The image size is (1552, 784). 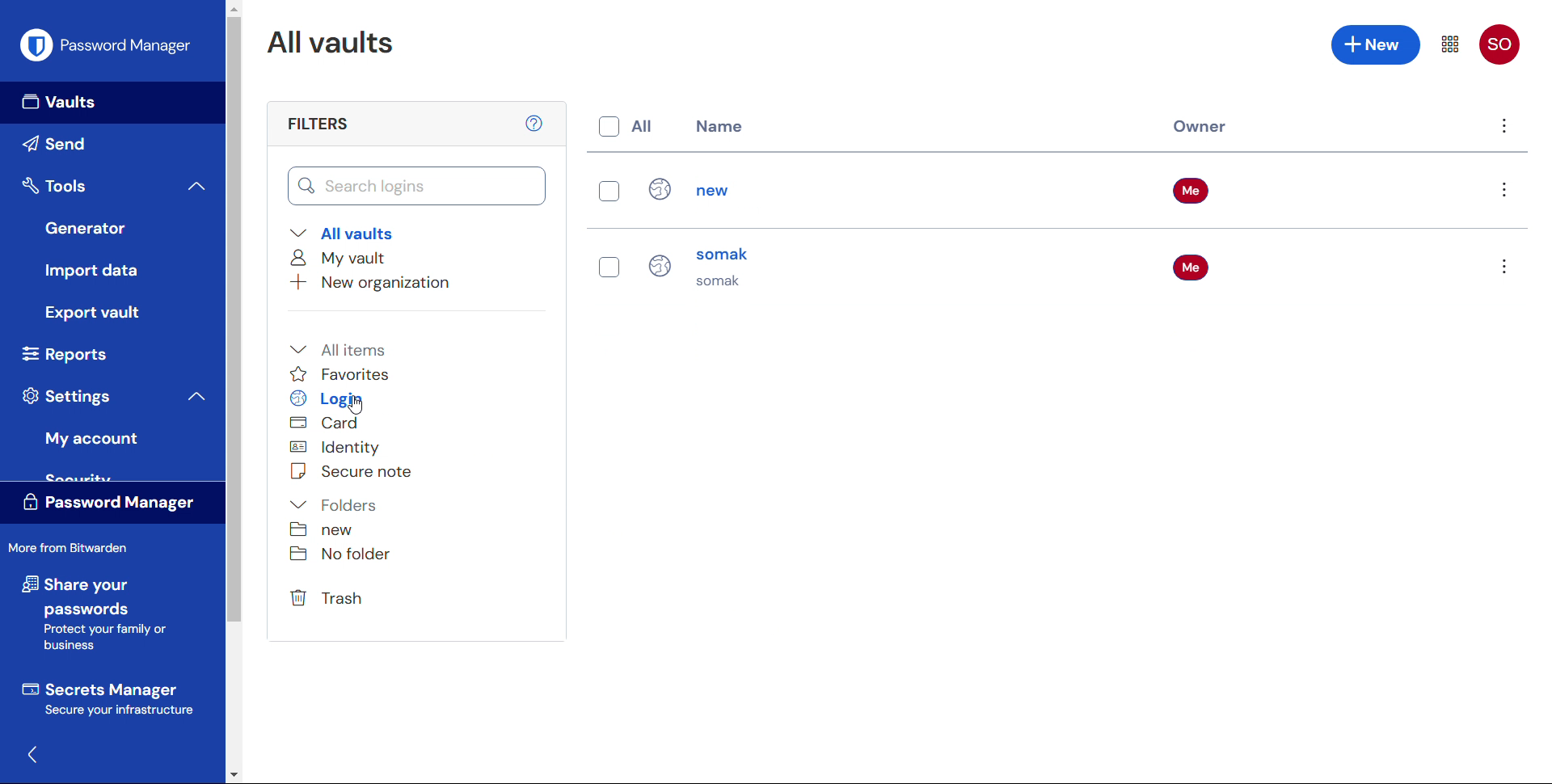 What do you see at coordinates (337, 258) in the screenshot?
I see `My vault ` at bounding box center [337, 258].